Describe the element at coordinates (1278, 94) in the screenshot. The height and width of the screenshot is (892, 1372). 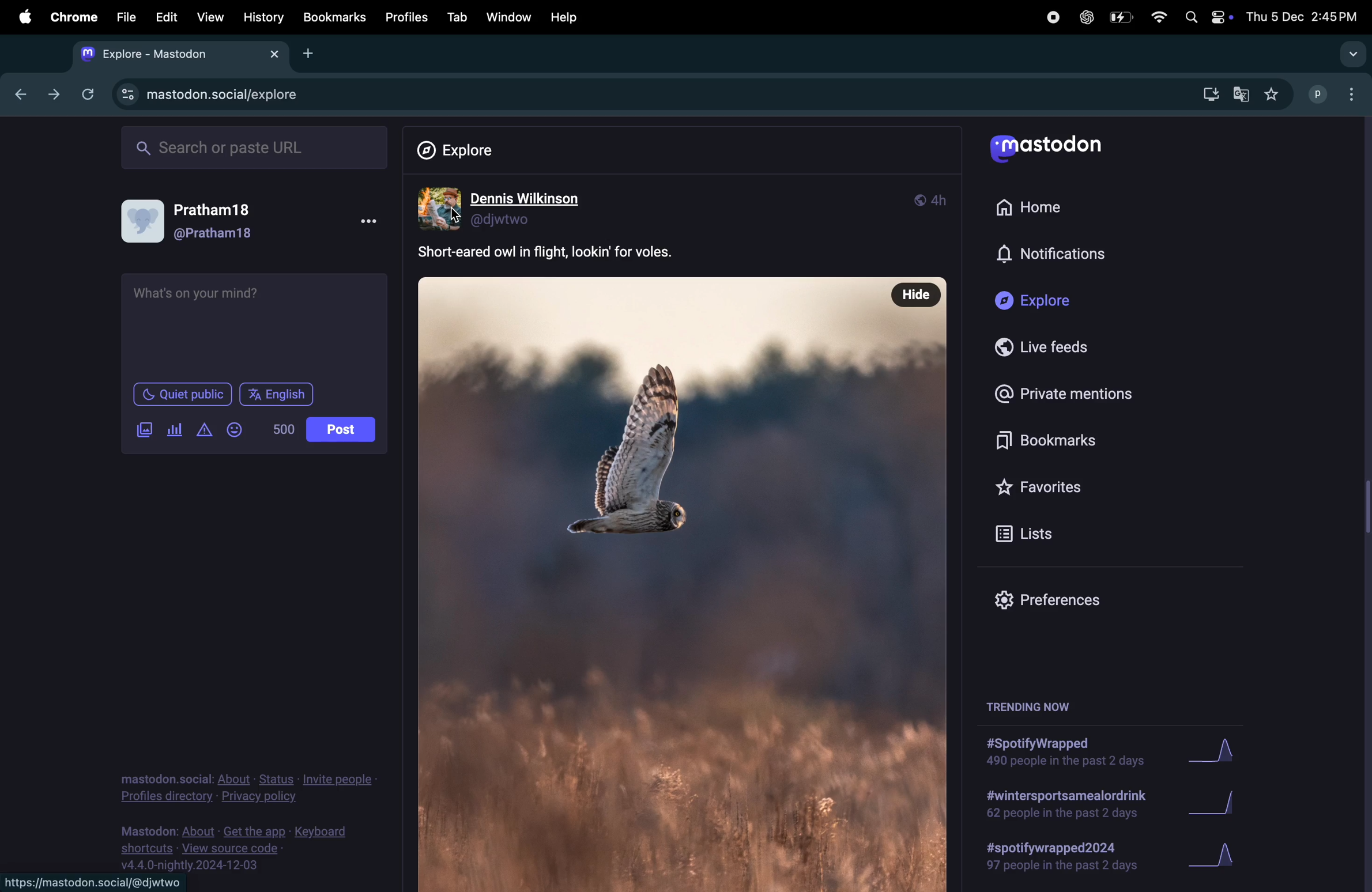
I see `favourites` at that location.